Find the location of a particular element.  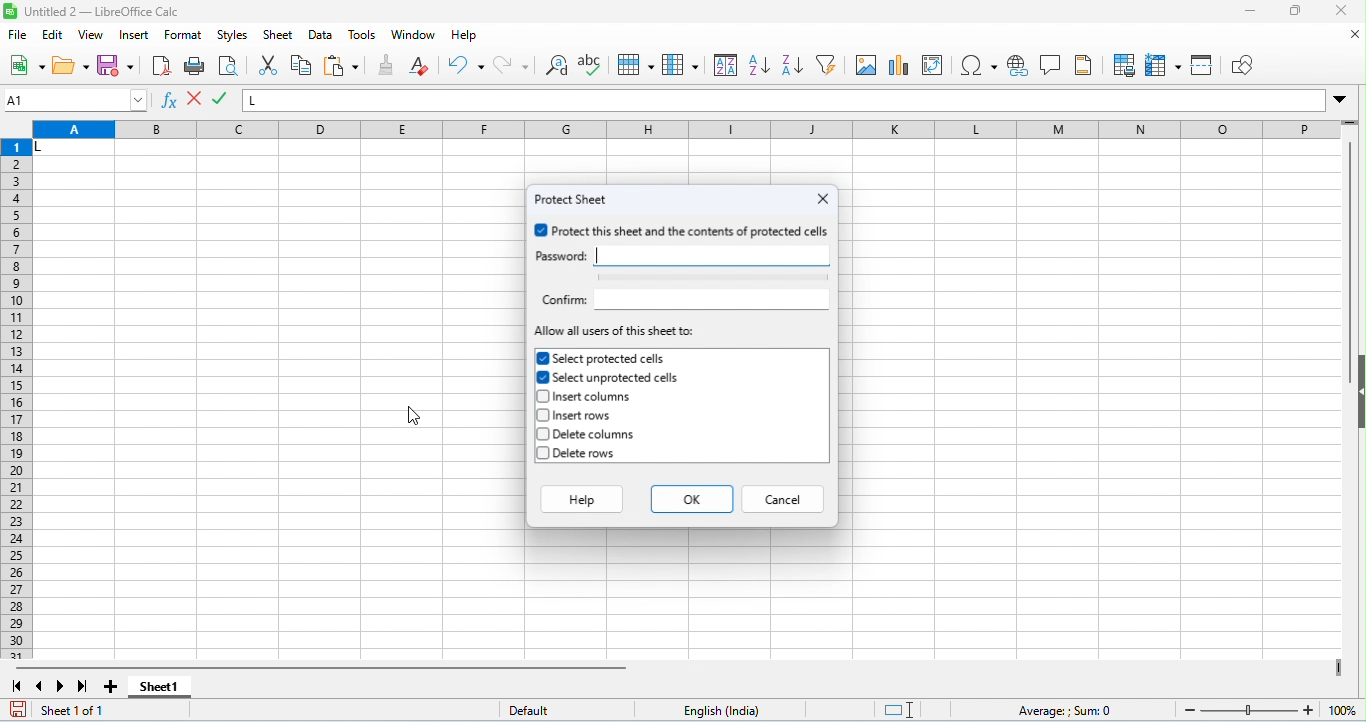

sheet is located at coordinates (278, 35).